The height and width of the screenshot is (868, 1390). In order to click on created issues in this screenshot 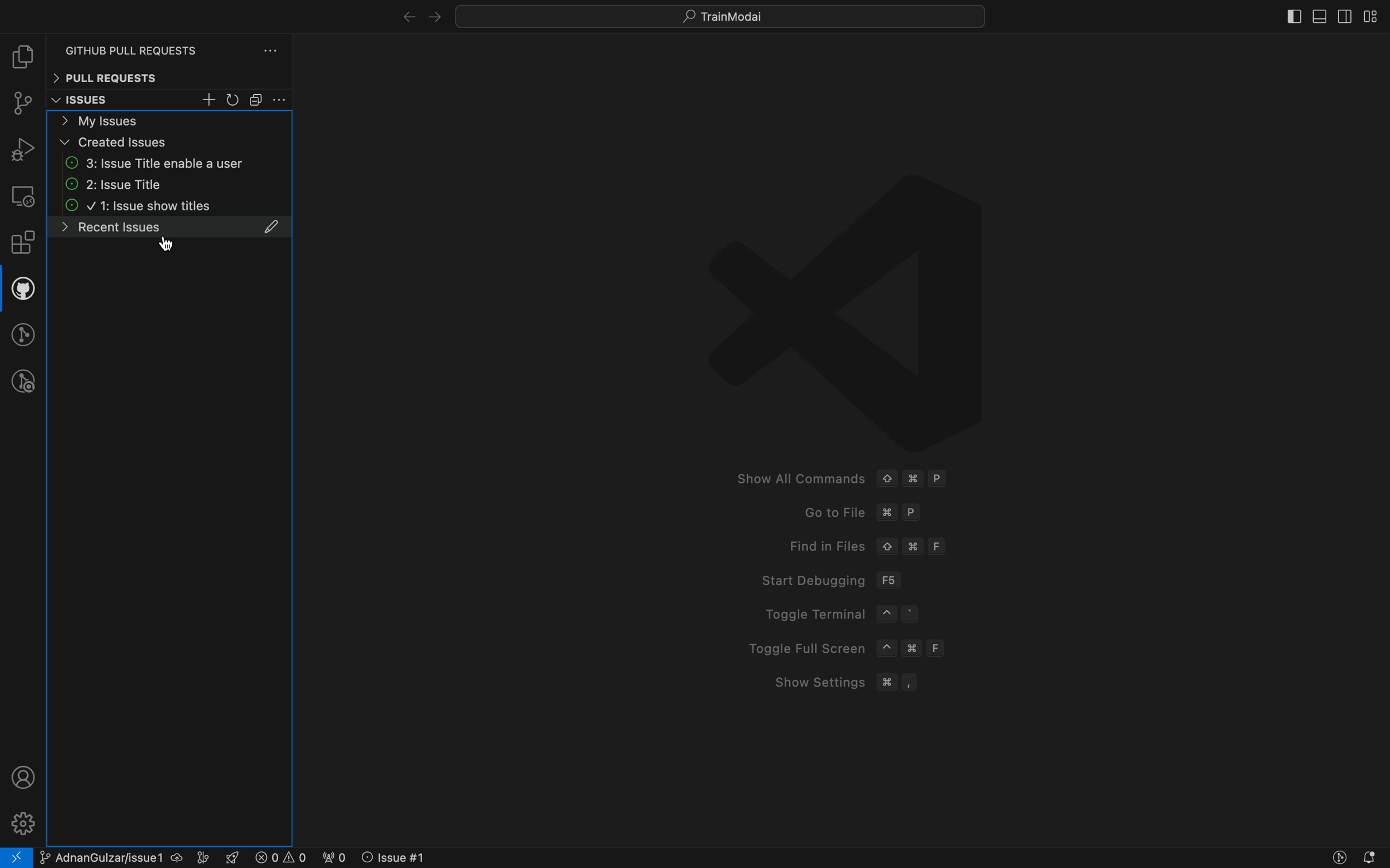, I will do `click(171, 142)`.